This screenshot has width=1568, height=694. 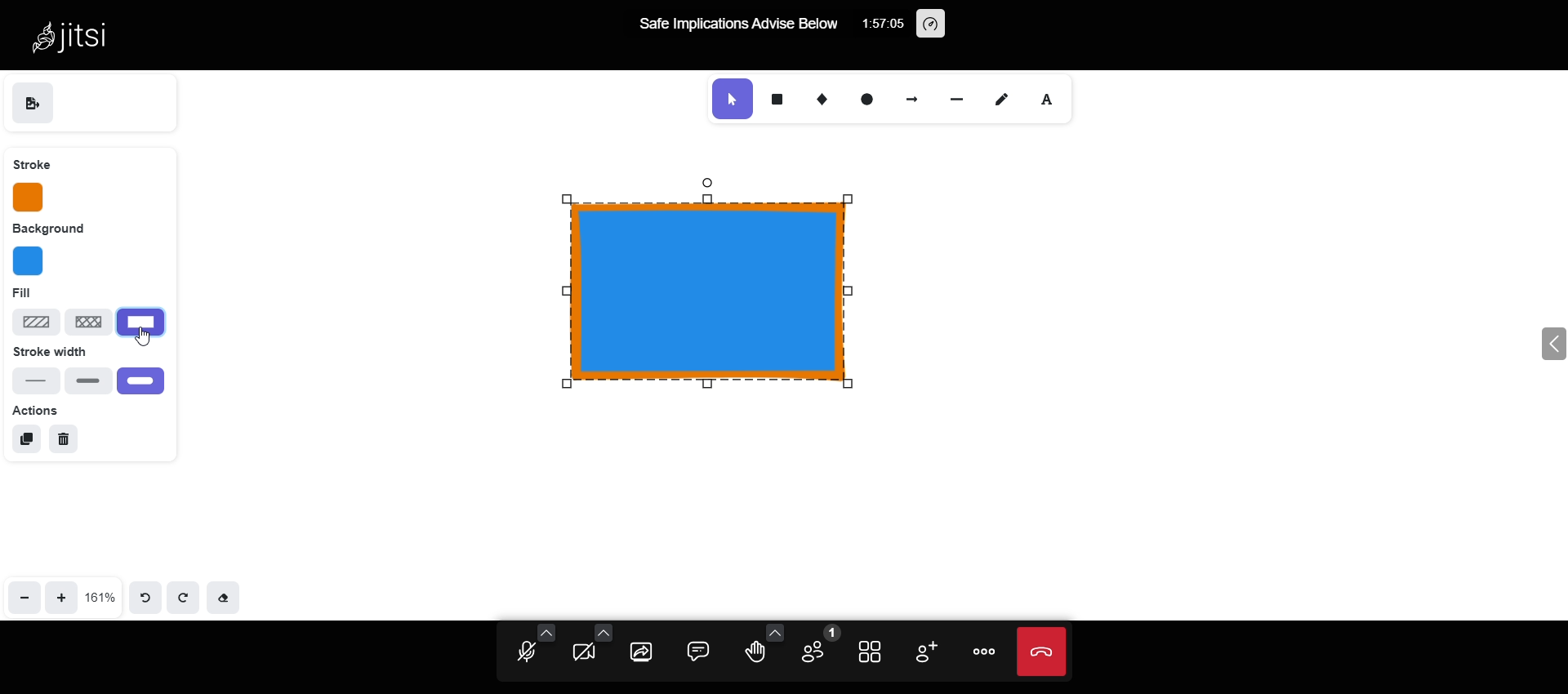 What do you see at coordinates (25, 293) in the screenshot?
I see `fill` at bounding box center [25, 293].